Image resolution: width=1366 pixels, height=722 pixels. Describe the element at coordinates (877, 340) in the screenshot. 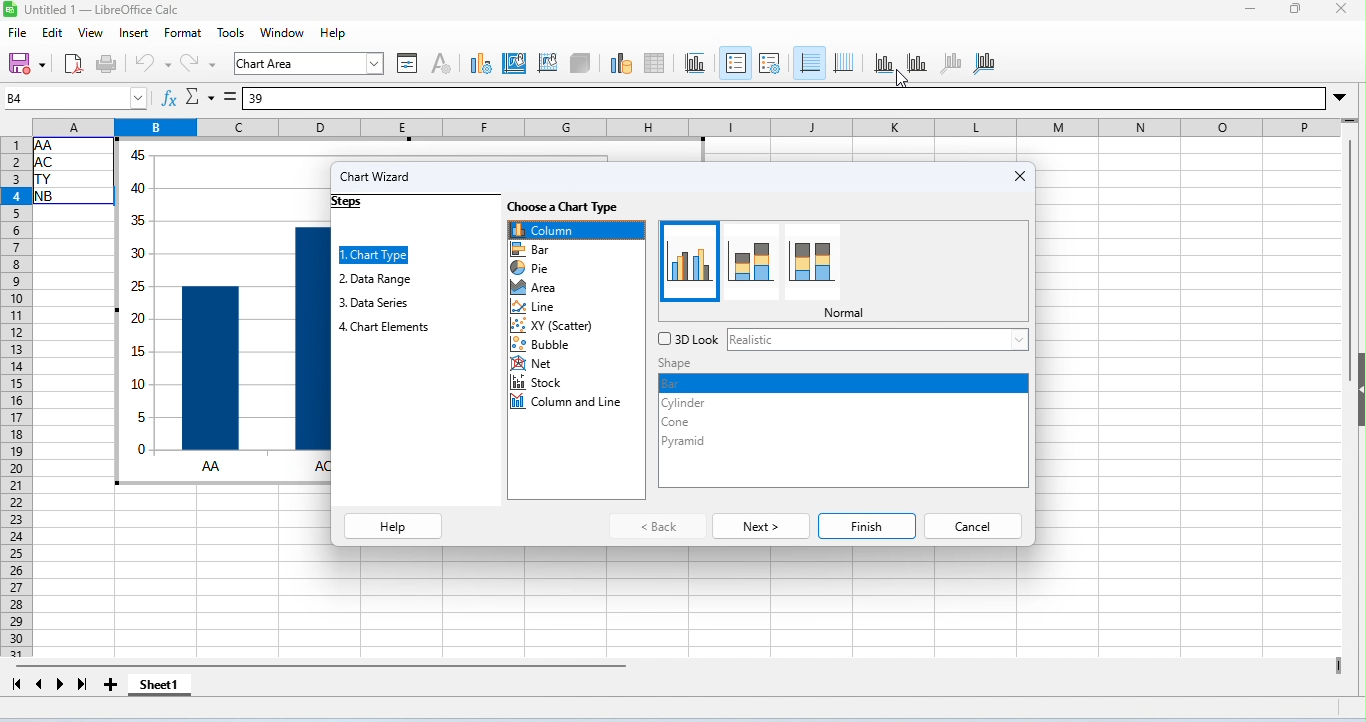

I see `realistic` at that location.